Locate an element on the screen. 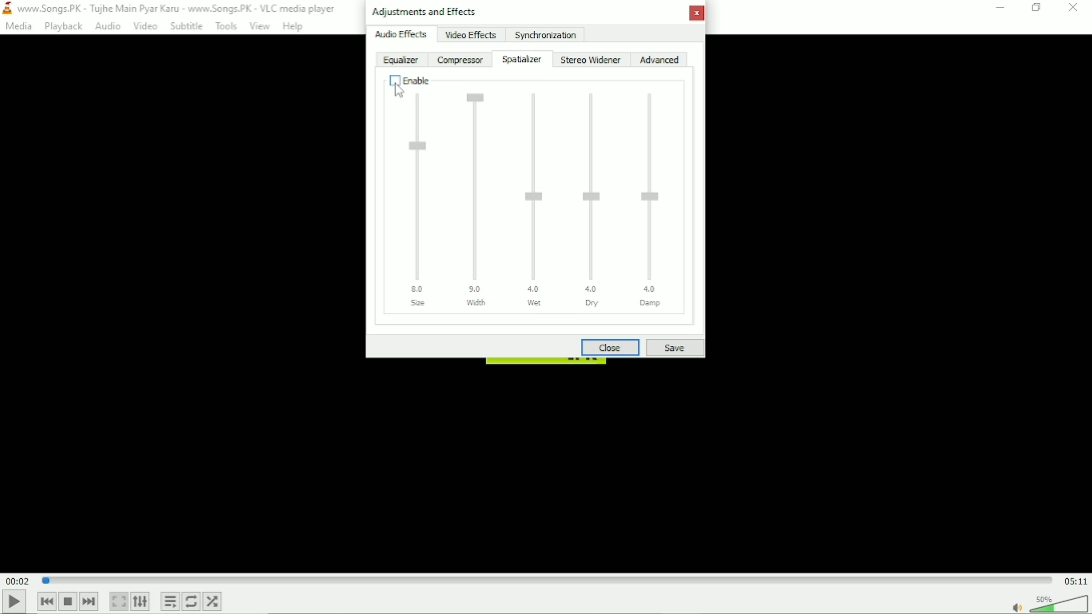  Video effects is located at coordinates (471, 35).